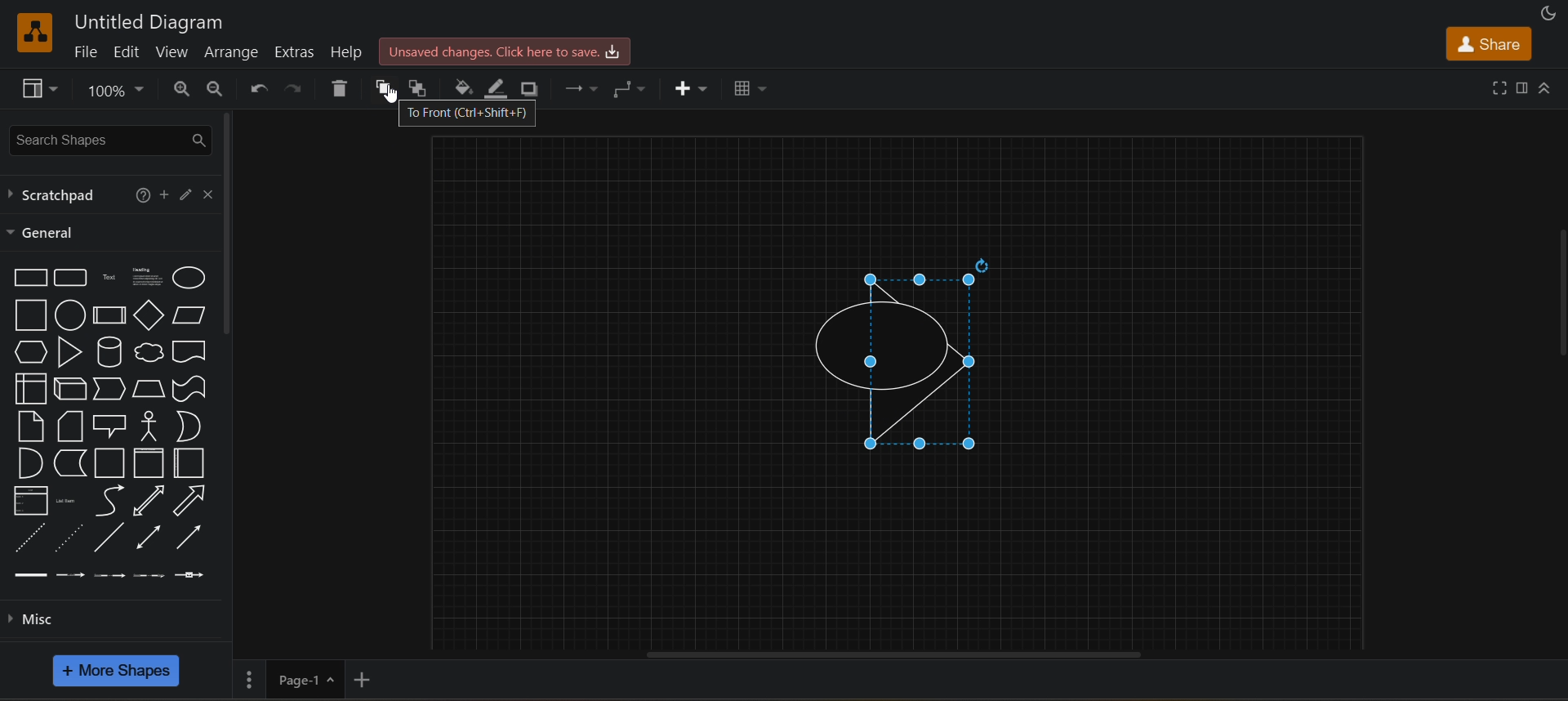 The height and width of the screenshot is (701, 1568). What do you see at coordinates (148, 352) in the screenshot?
I see `cloud` at bounding box center [148, 352].